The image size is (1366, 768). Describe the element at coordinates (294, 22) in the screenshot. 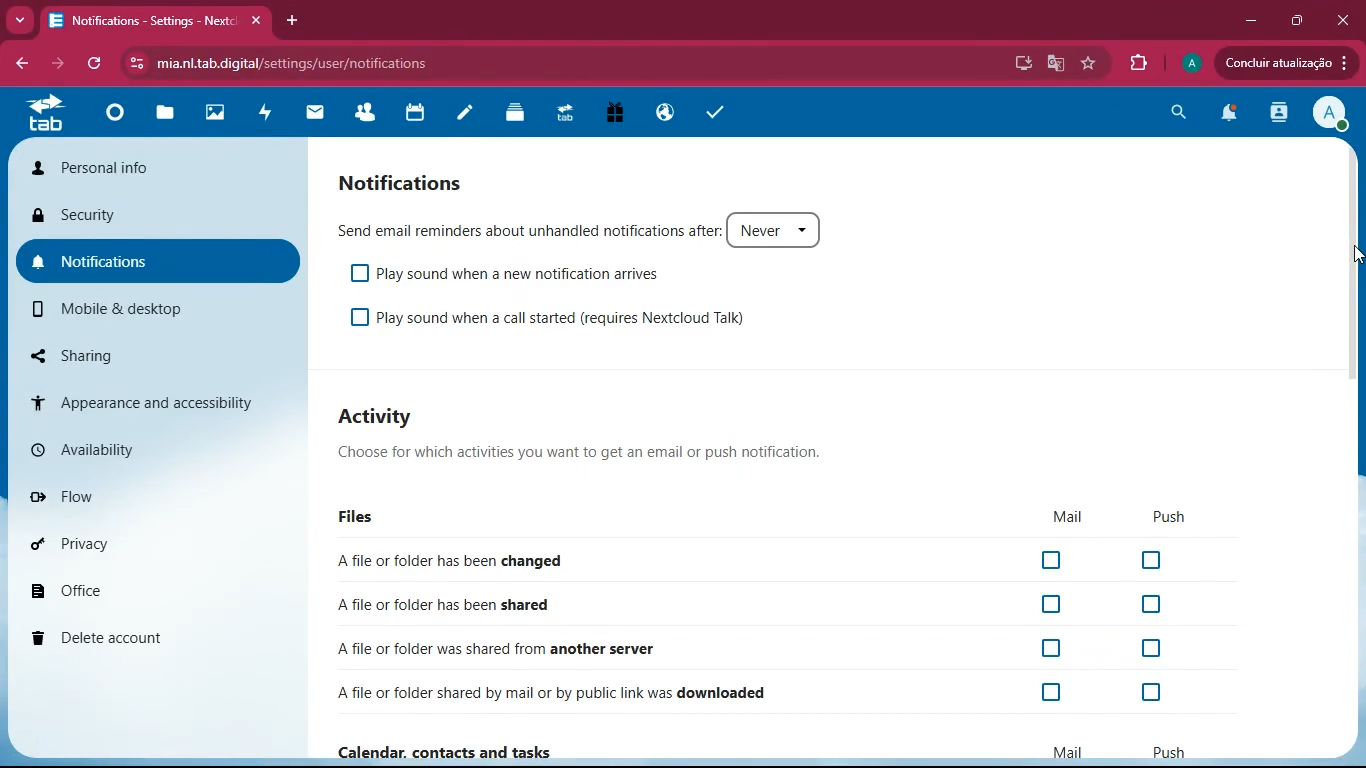

I see `add tab` at that location.